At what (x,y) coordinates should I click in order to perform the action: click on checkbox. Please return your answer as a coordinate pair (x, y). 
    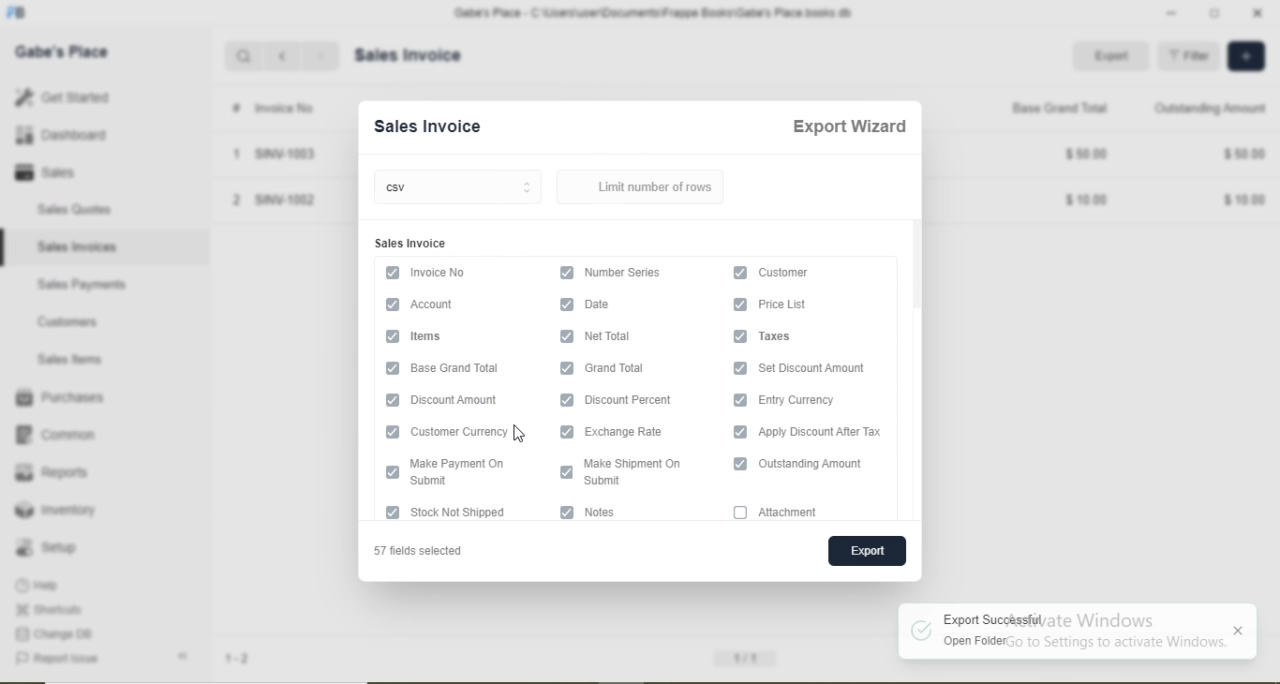
    Looking at the image, I should click on (391, 367).